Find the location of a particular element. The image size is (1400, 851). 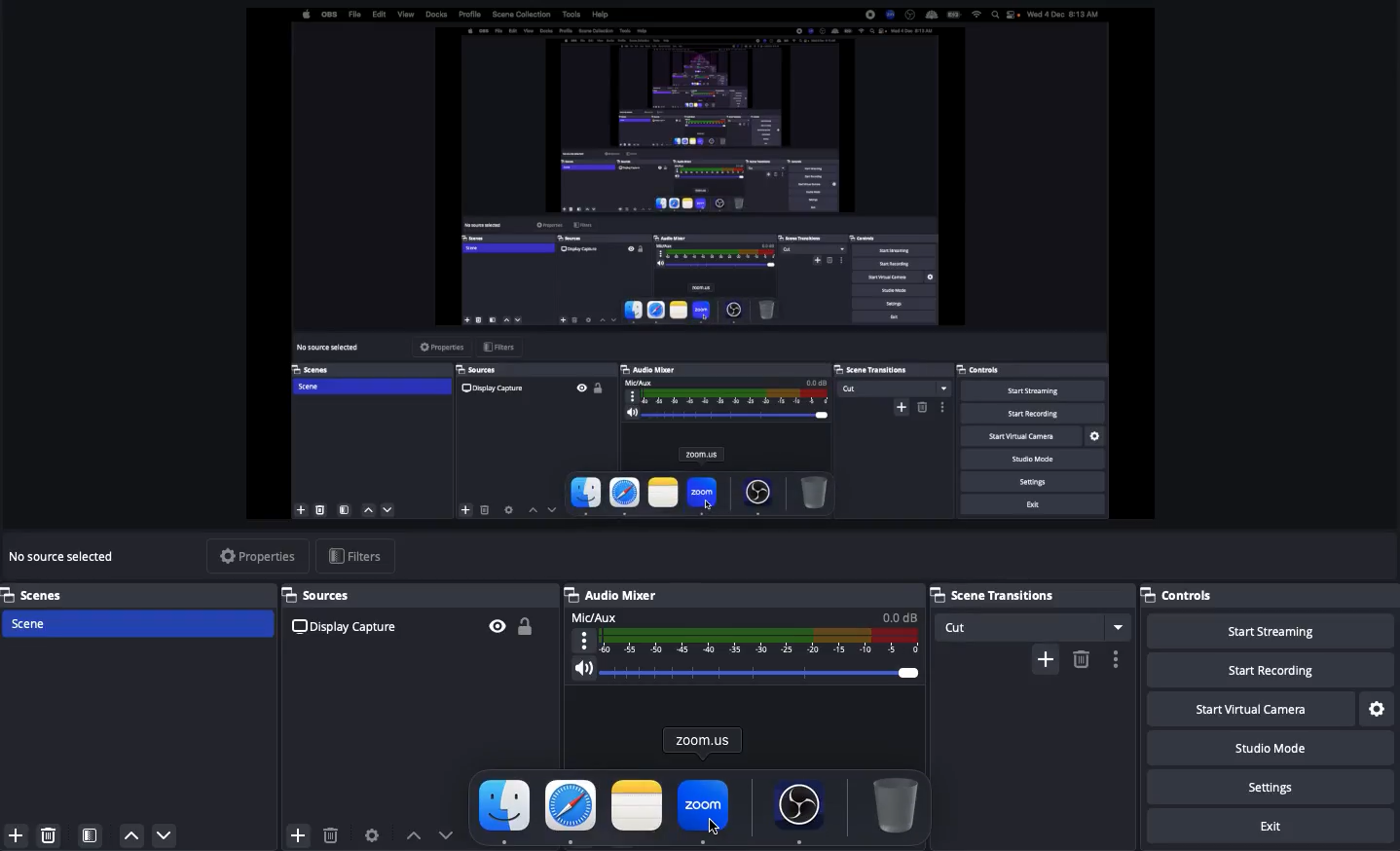

Source preferences is located at coordinates (375, 833).